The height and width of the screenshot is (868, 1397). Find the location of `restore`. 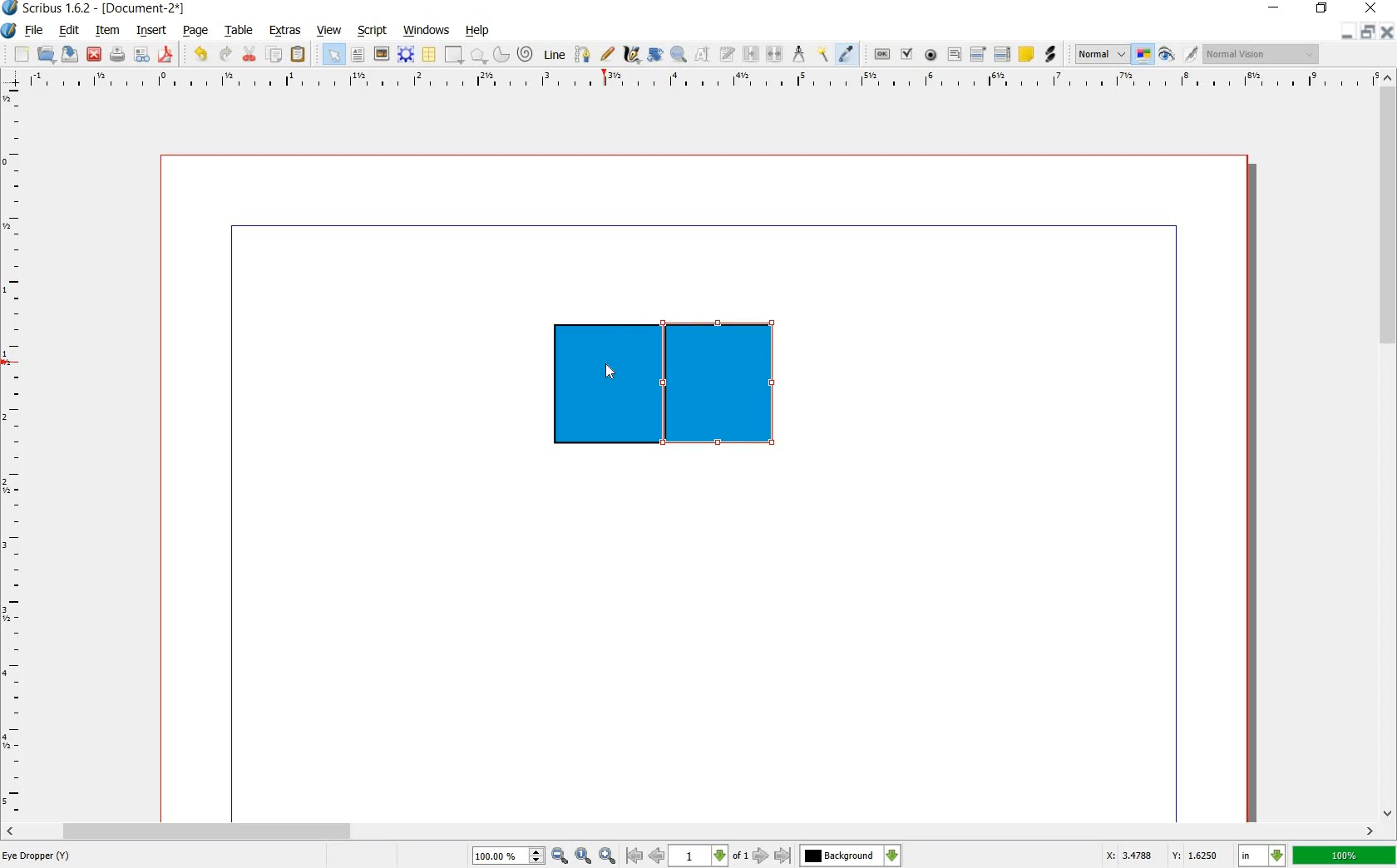

restore is located at coordinates (1321, 9).